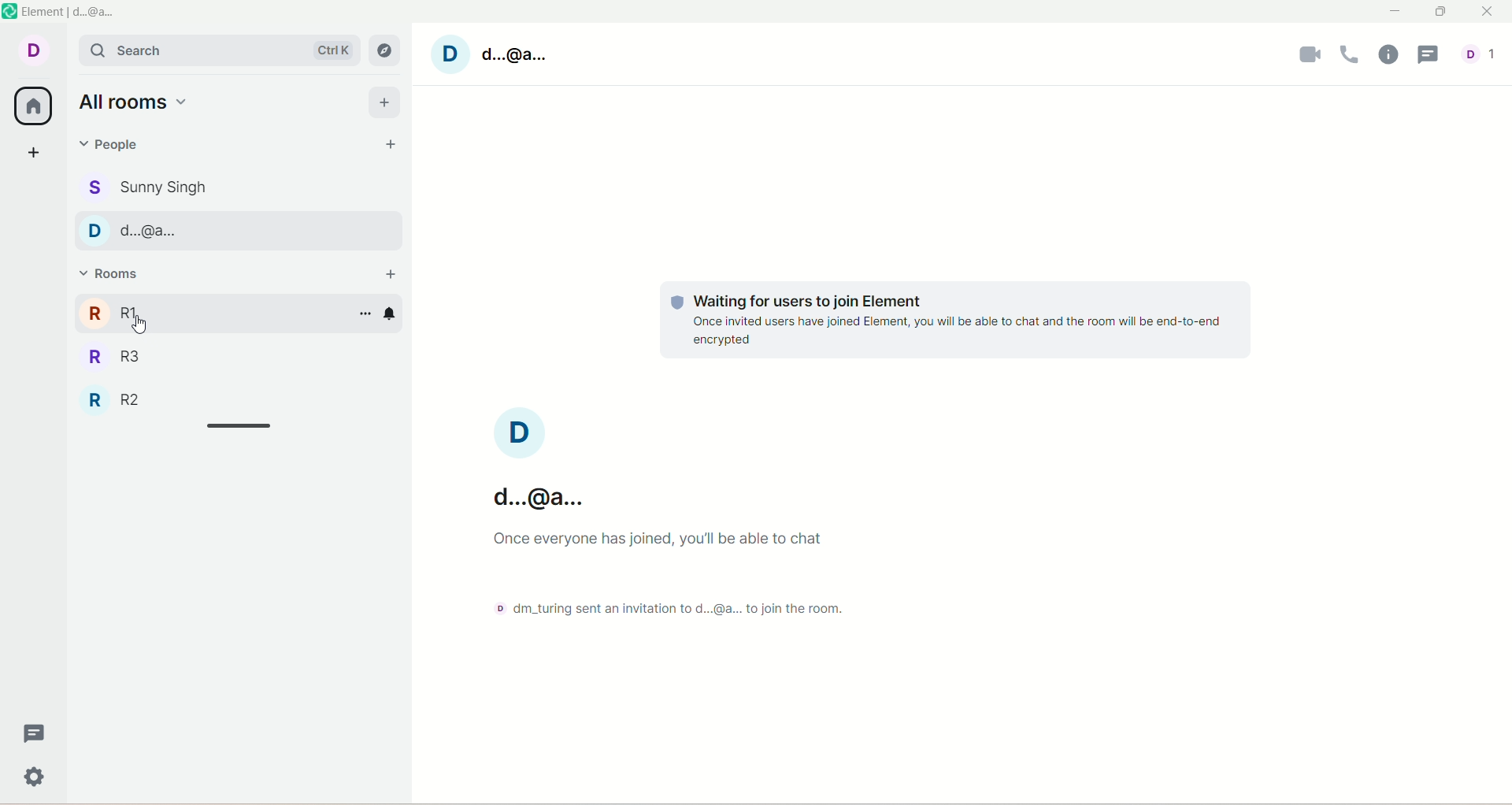 Image resolution: width=1512 pixels, height=805 pixels. Describe the element at coordinates (113, 147) in the screenshot. I see `people` at that location.